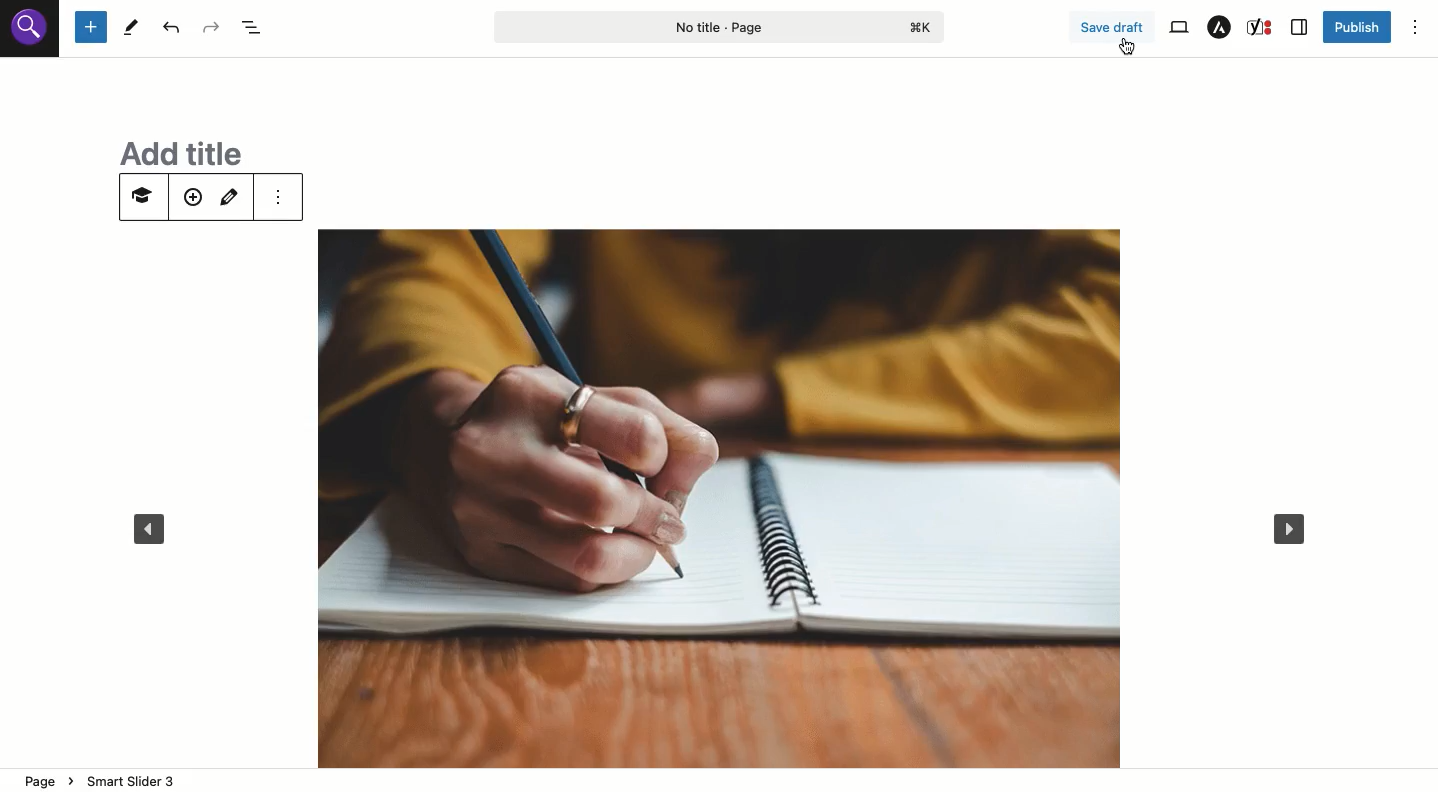  What do you see at coordinates (1220, 27) in the screenshot?
I see `Astra` at bounding box center [1220, 27].